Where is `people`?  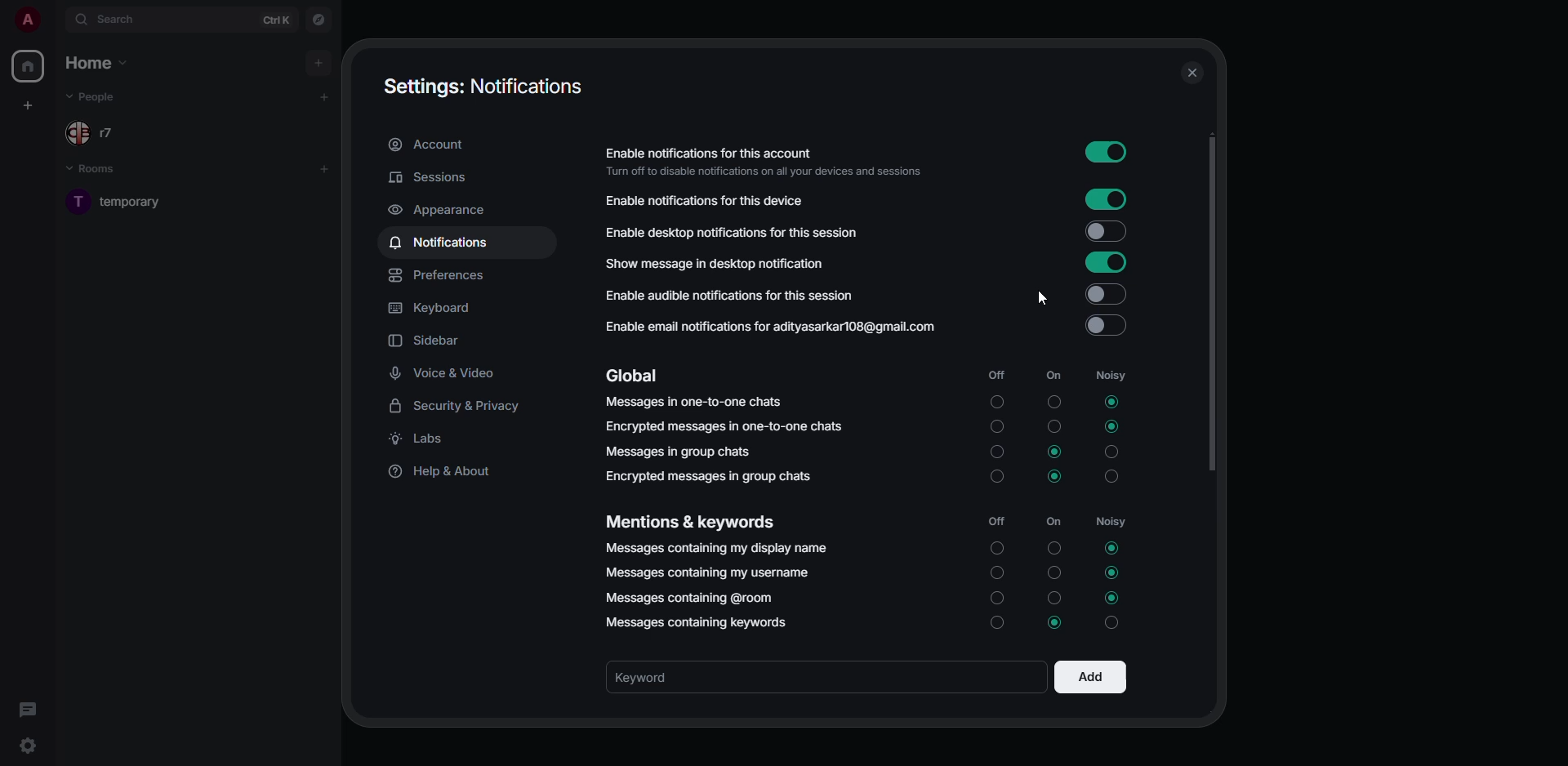 people is located at coordinates (94, 97).